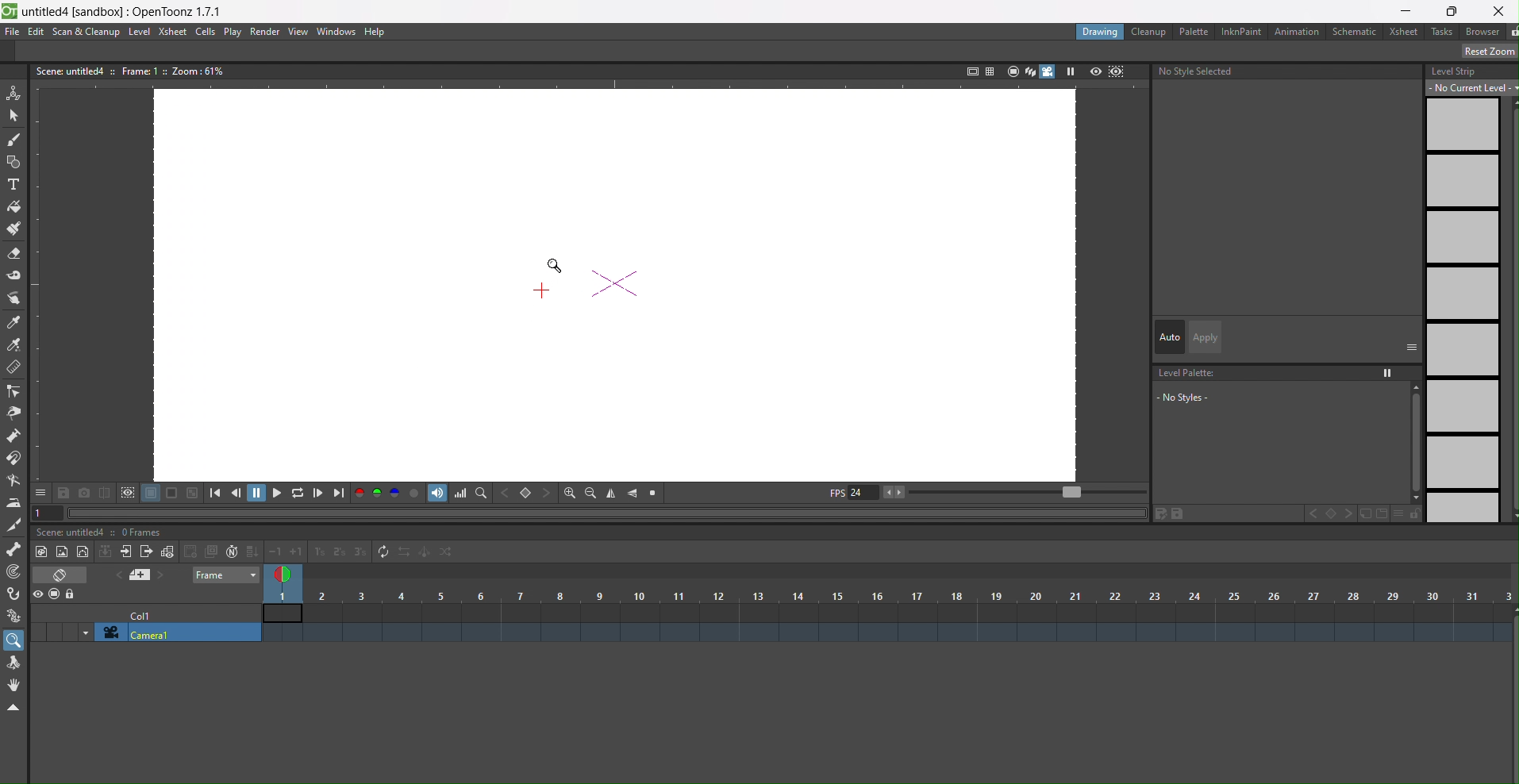 Image resolution: width=1519 pixels, height=784 pixels. What do you see at coordinates (87, 33) in the screenshot?
I see `scan&cleanup` at bounding box center [87, 33].